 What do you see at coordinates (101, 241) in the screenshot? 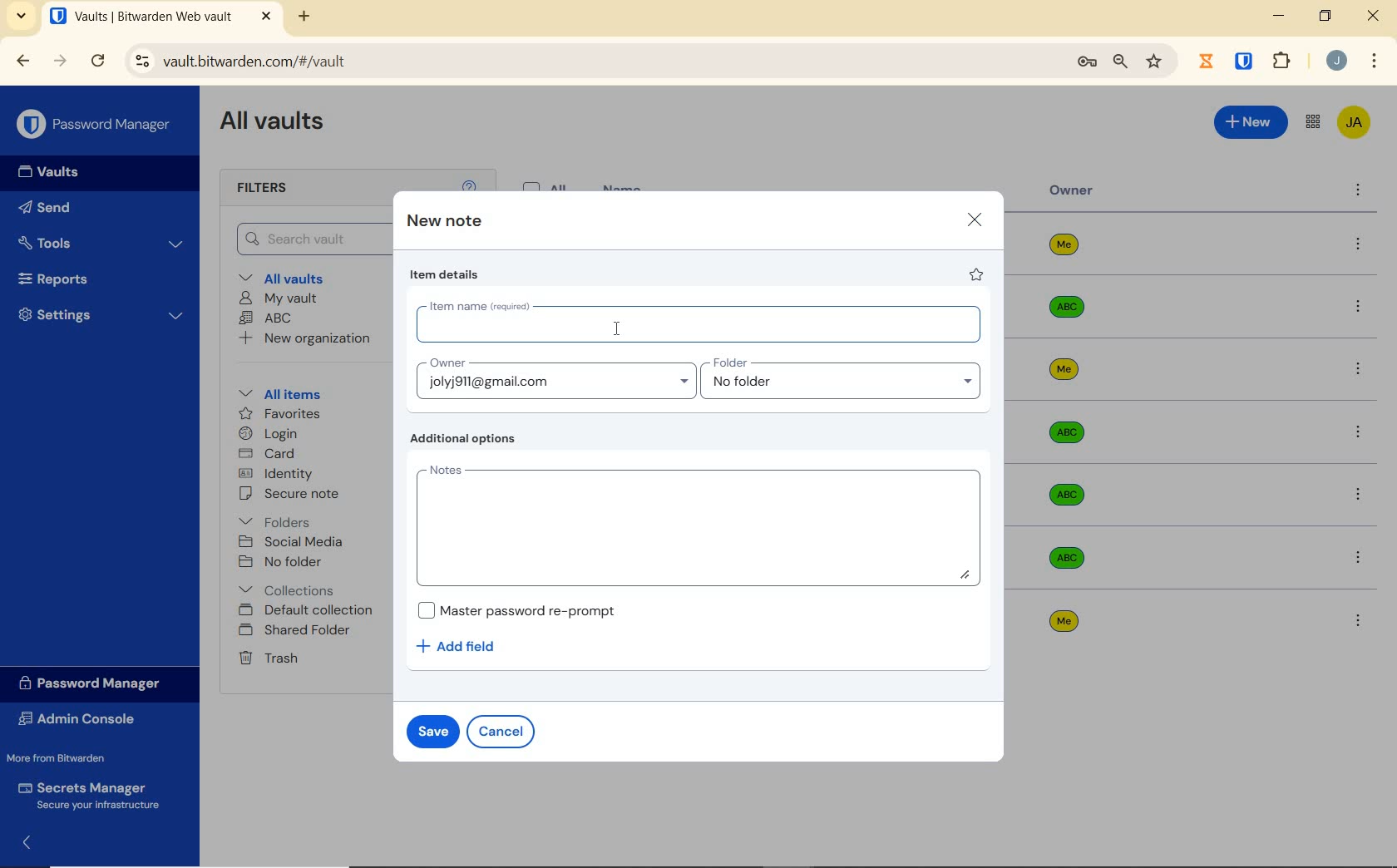
I see `Tools` at bounding box center [101, 241].